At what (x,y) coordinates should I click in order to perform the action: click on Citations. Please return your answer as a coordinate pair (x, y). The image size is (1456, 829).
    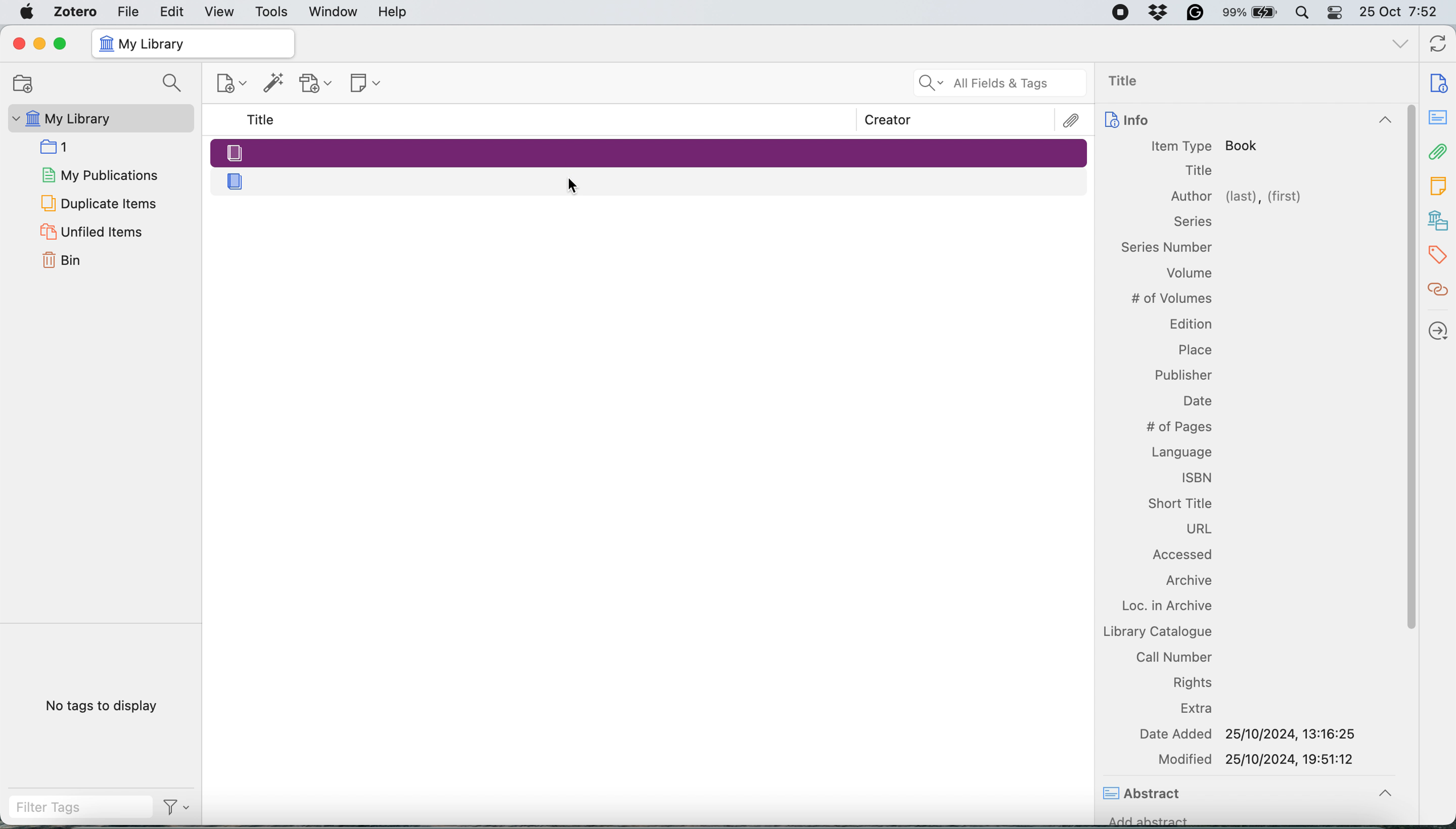
    Looking at the image, I should click on (1439, 290).